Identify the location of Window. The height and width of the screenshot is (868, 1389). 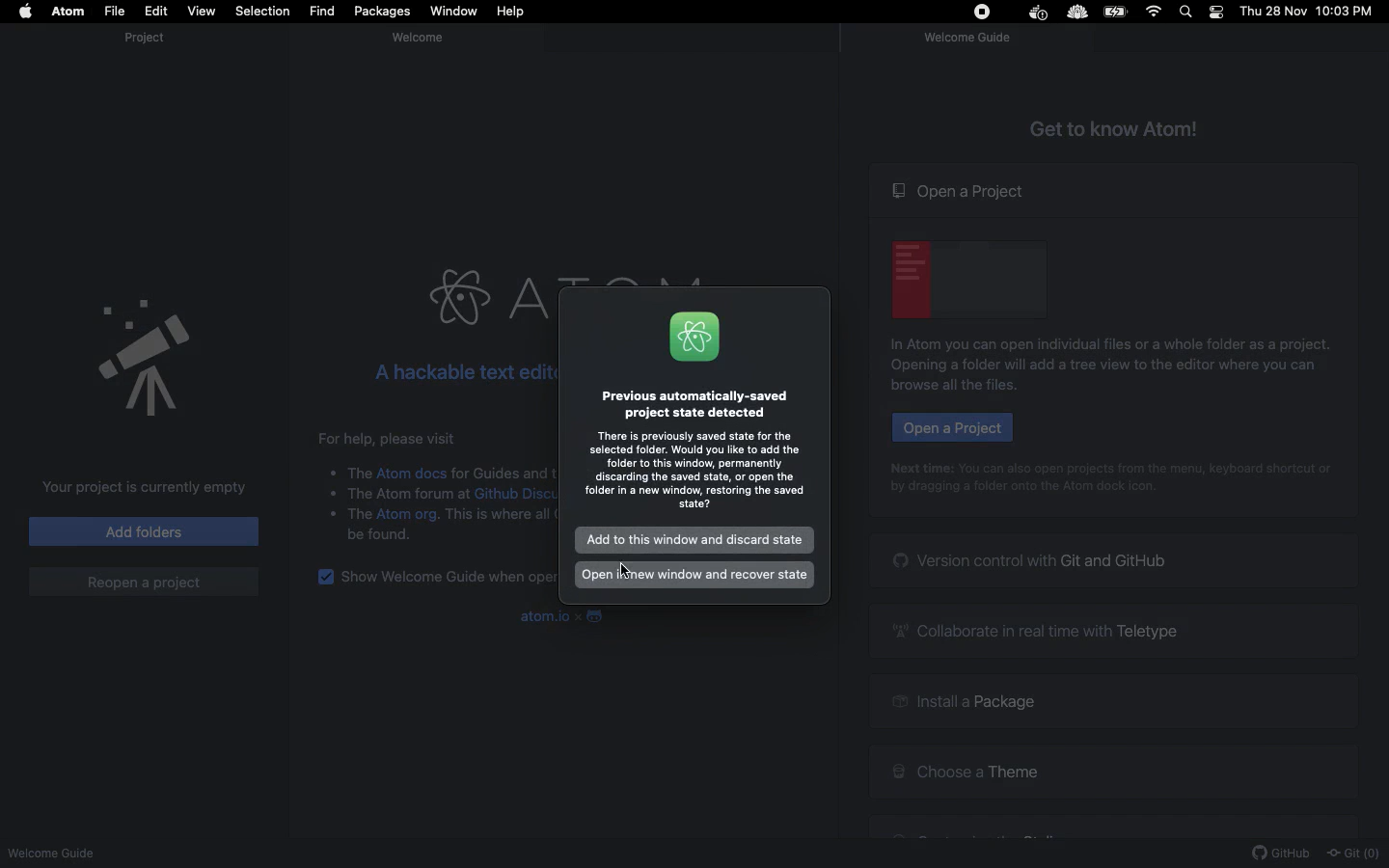
(454, 12).